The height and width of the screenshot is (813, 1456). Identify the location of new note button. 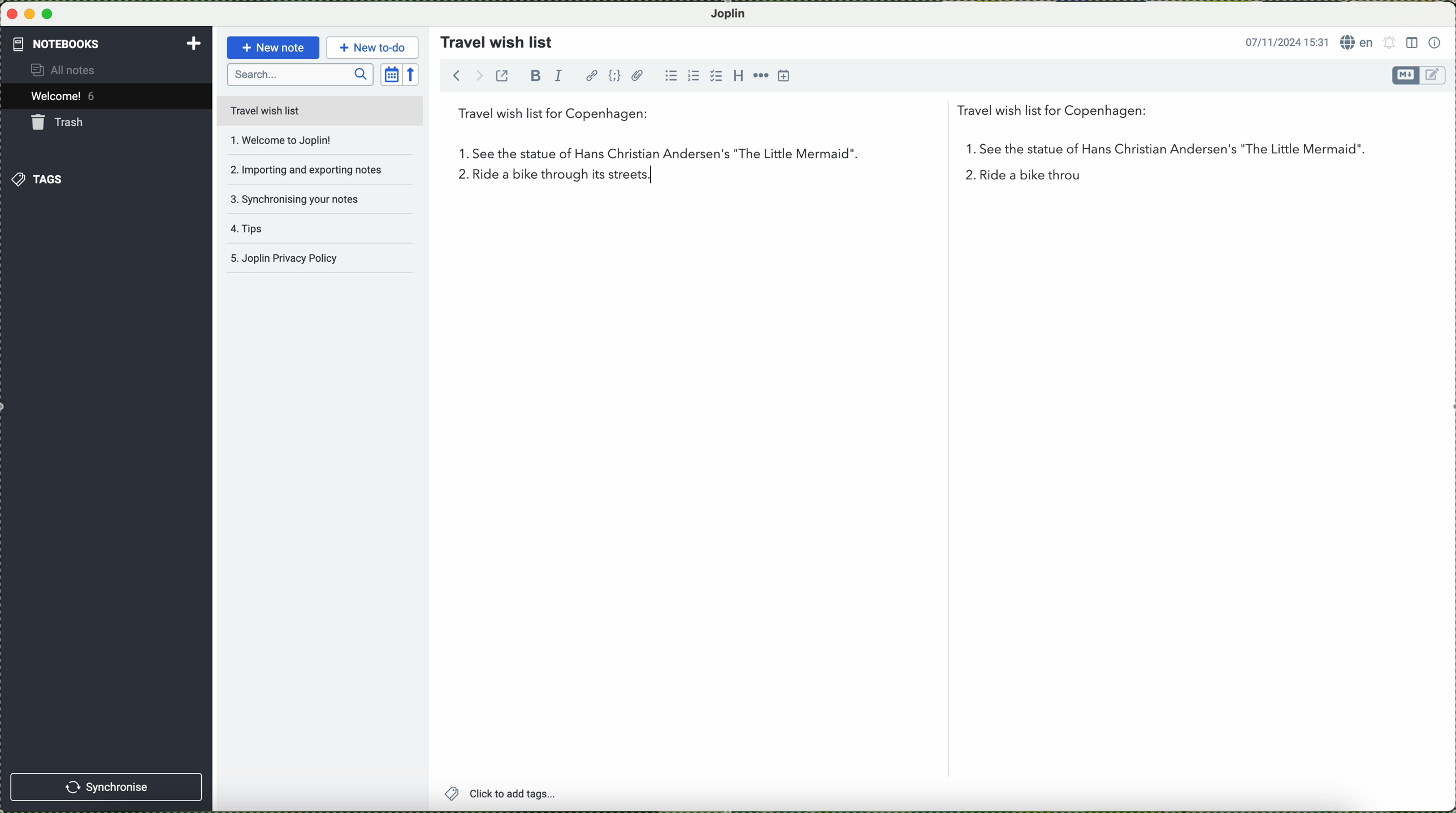
(271, 47).